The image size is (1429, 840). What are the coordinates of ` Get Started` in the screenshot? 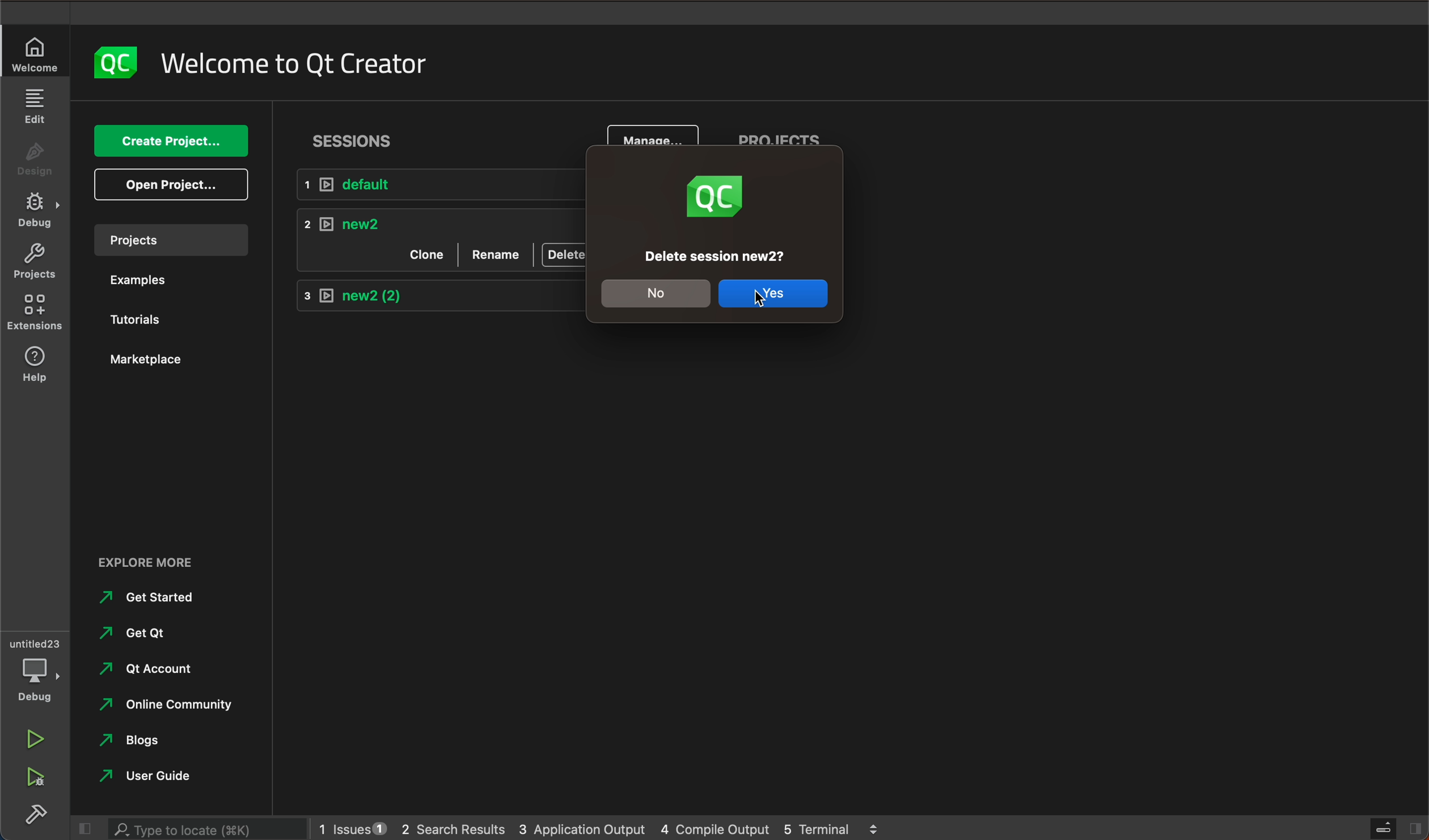 It's located at (157, 599).